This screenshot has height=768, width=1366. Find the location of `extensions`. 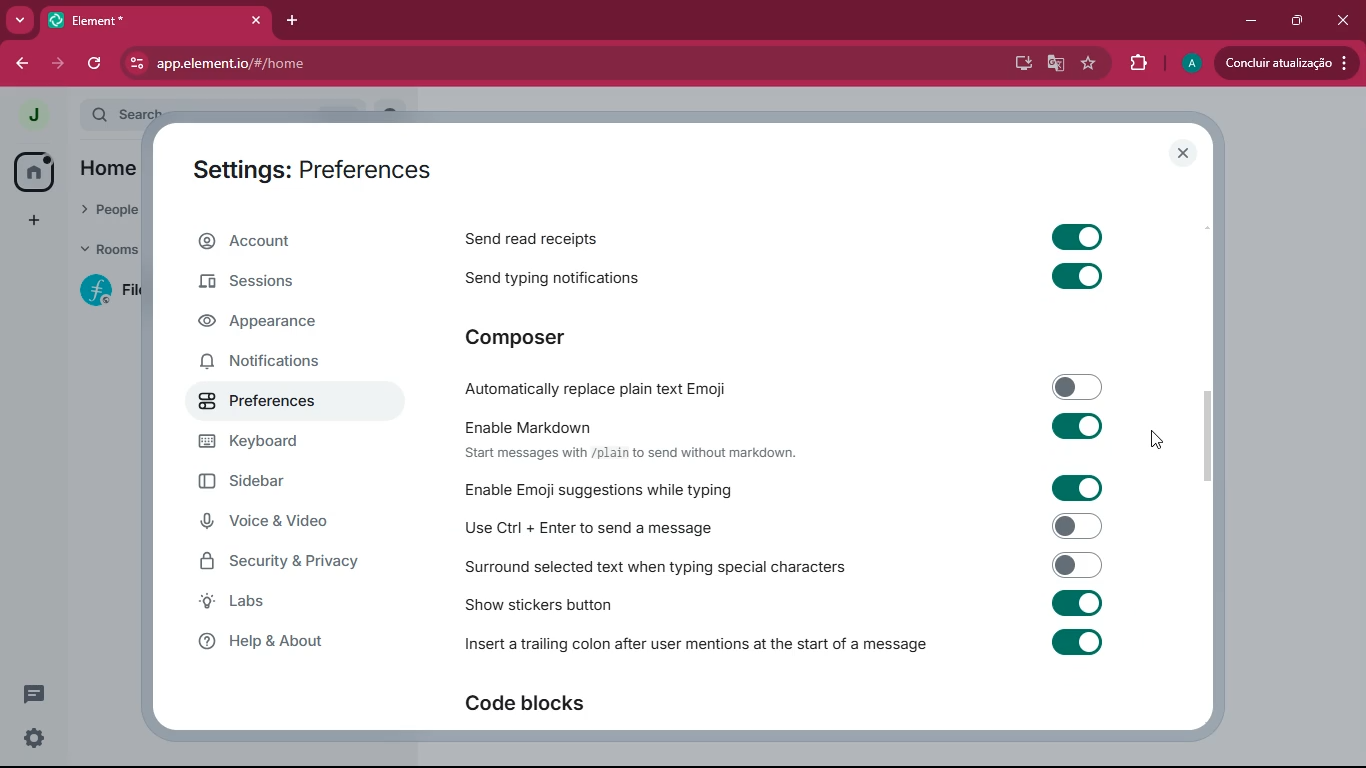

extensions is located at coordinates (1137, 63).